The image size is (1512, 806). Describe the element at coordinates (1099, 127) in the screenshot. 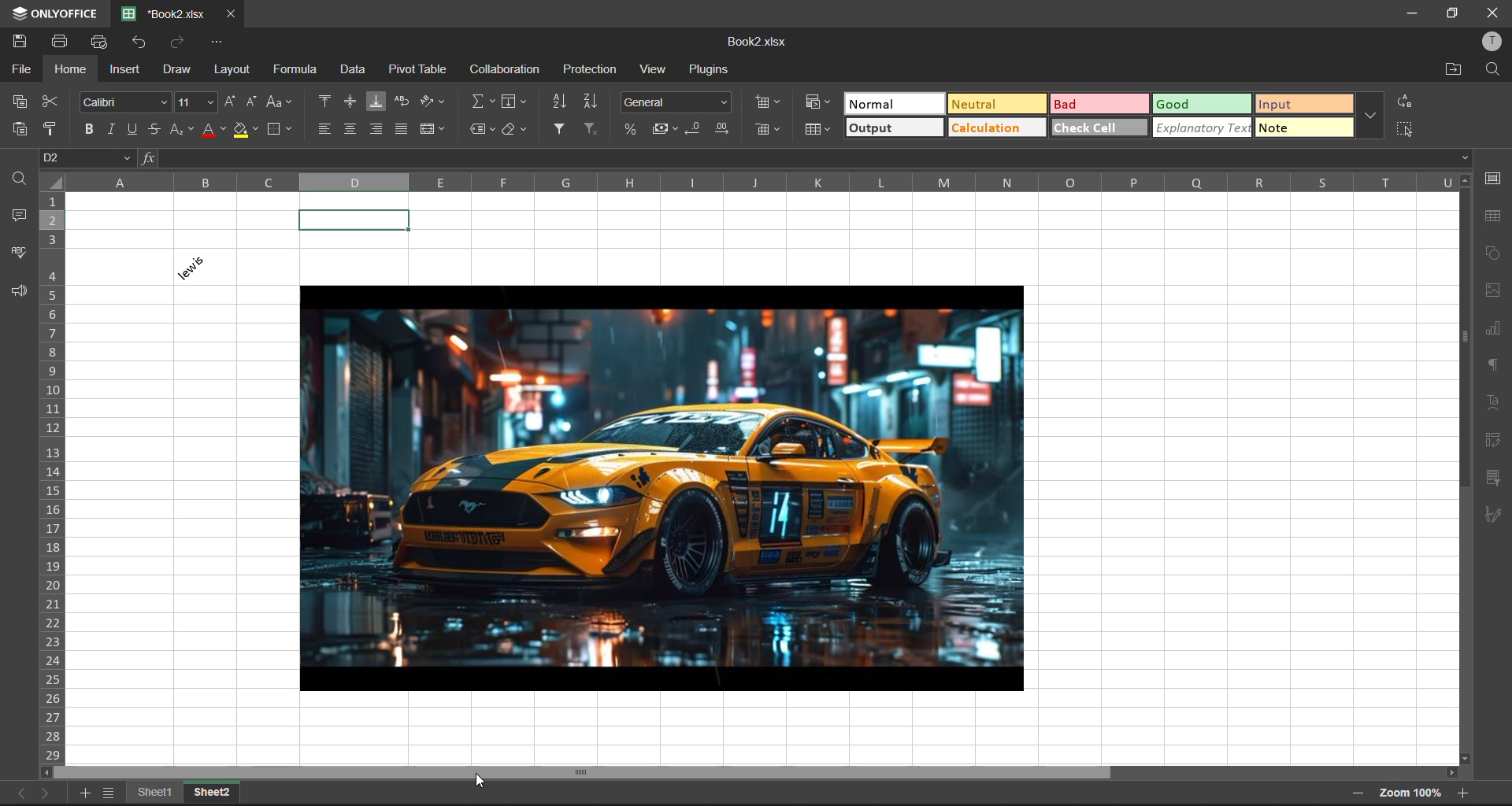

I see `check cell` at that location.